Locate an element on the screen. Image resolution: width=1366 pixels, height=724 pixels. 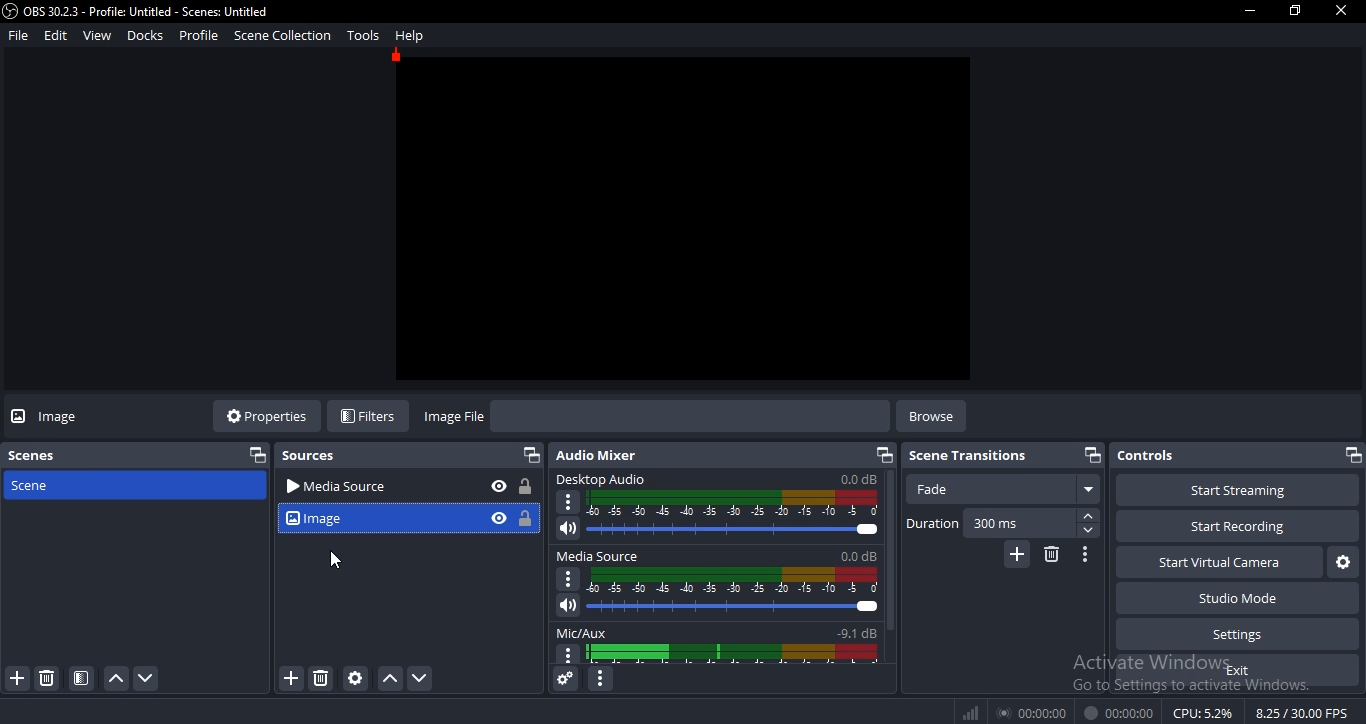
restore is located at coordinates (1094, 454).